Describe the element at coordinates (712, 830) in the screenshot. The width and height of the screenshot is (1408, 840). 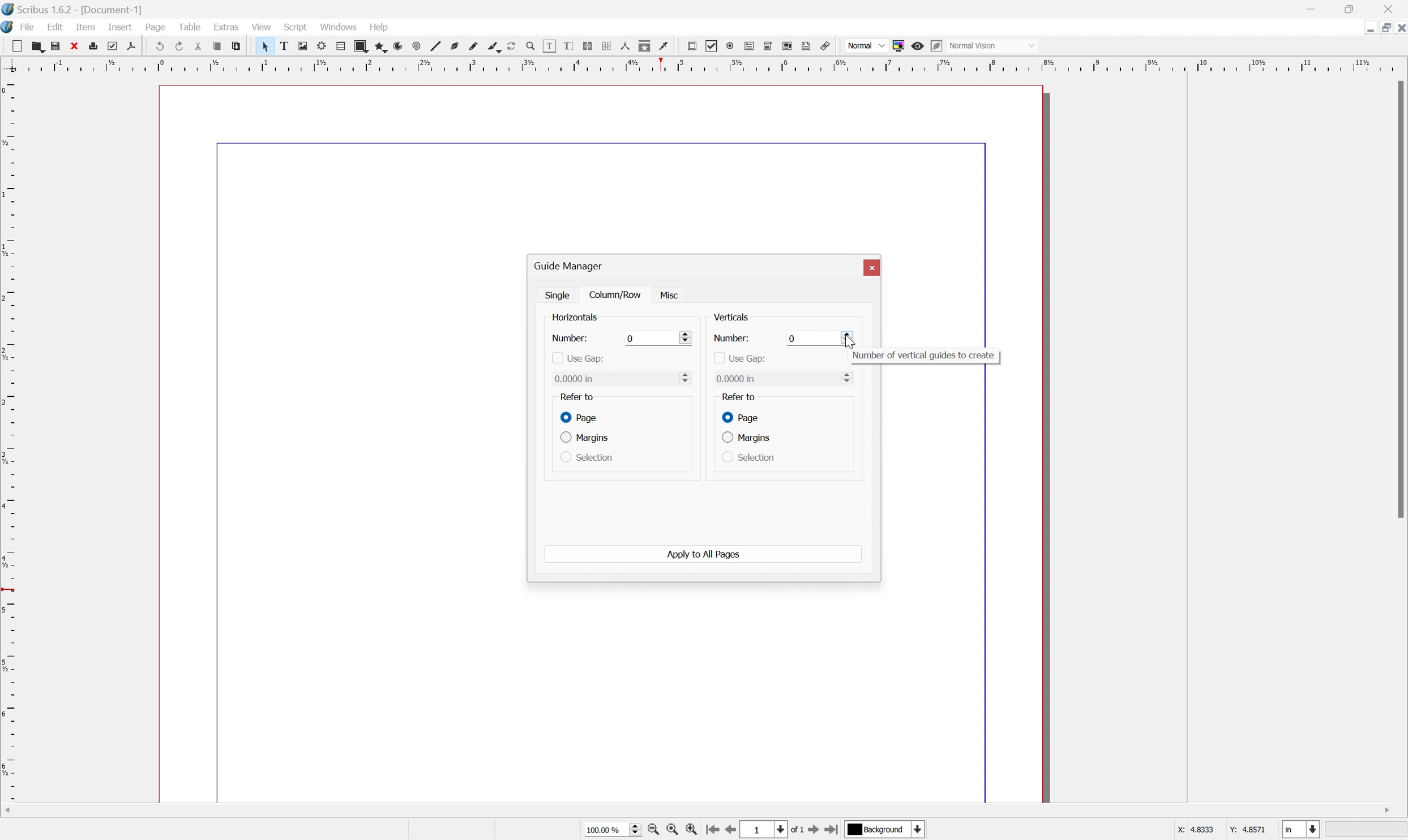
I see `go to first page` at that location.